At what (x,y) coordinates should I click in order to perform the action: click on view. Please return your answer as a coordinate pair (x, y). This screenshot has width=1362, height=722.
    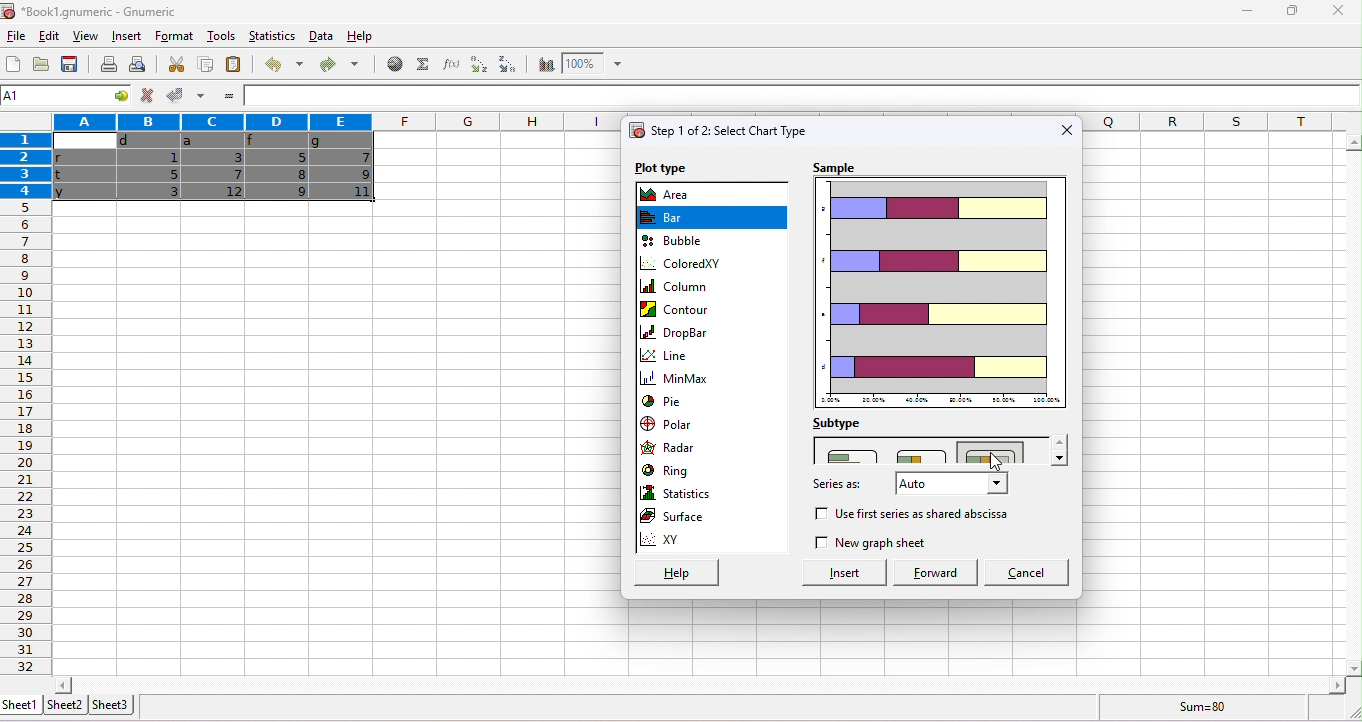
    Looking at the image, I should click on (85, 36).